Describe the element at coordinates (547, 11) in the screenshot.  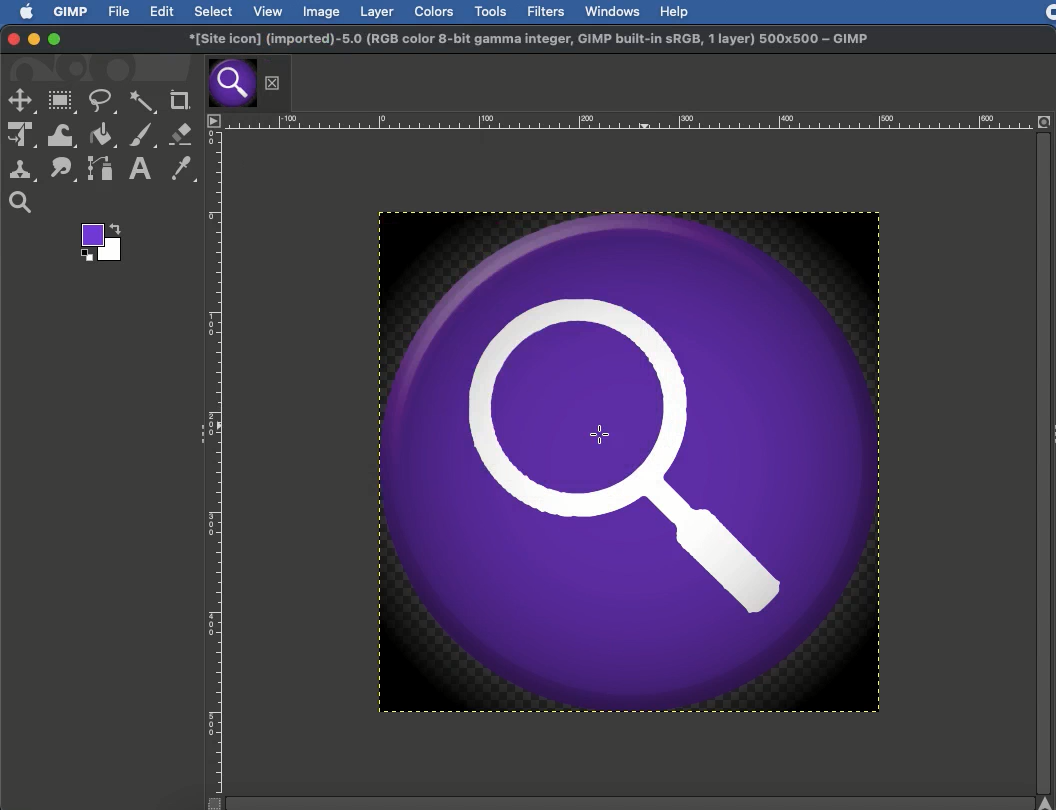
I see `Filters` at that location.